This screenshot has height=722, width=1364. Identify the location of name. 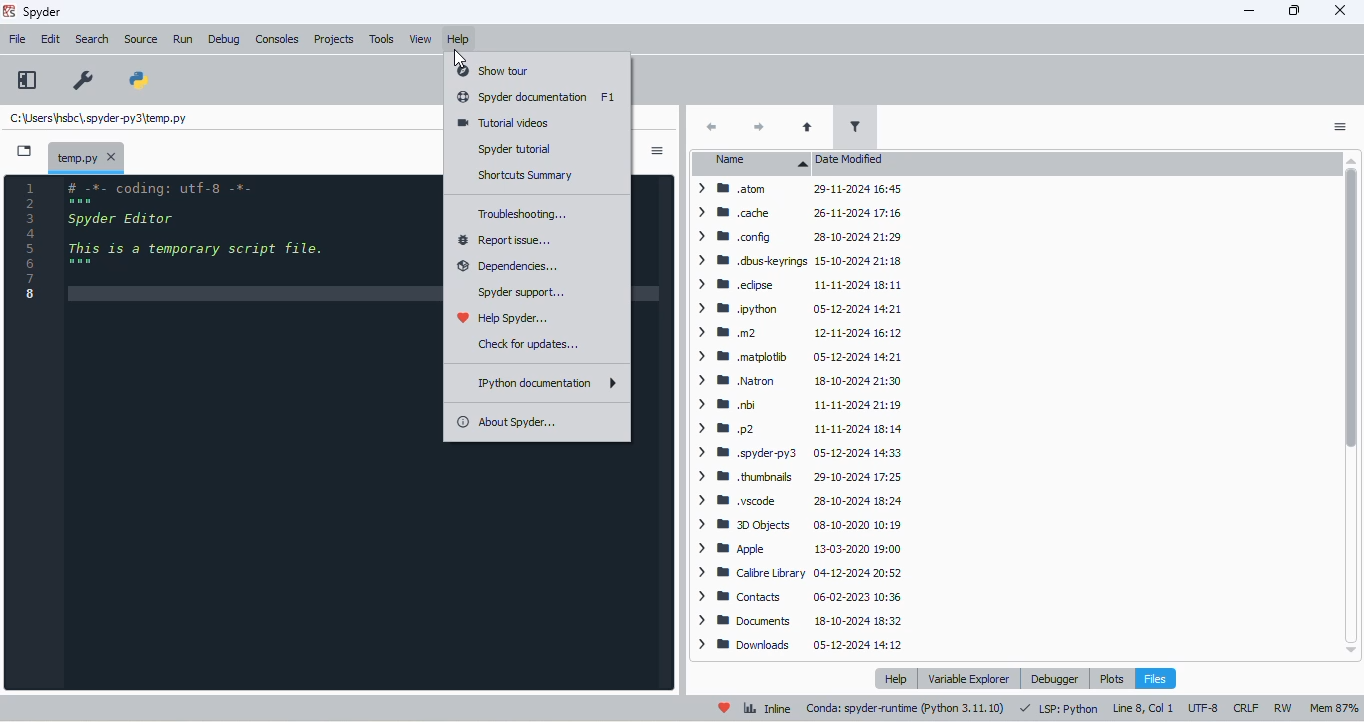
(755, 162).